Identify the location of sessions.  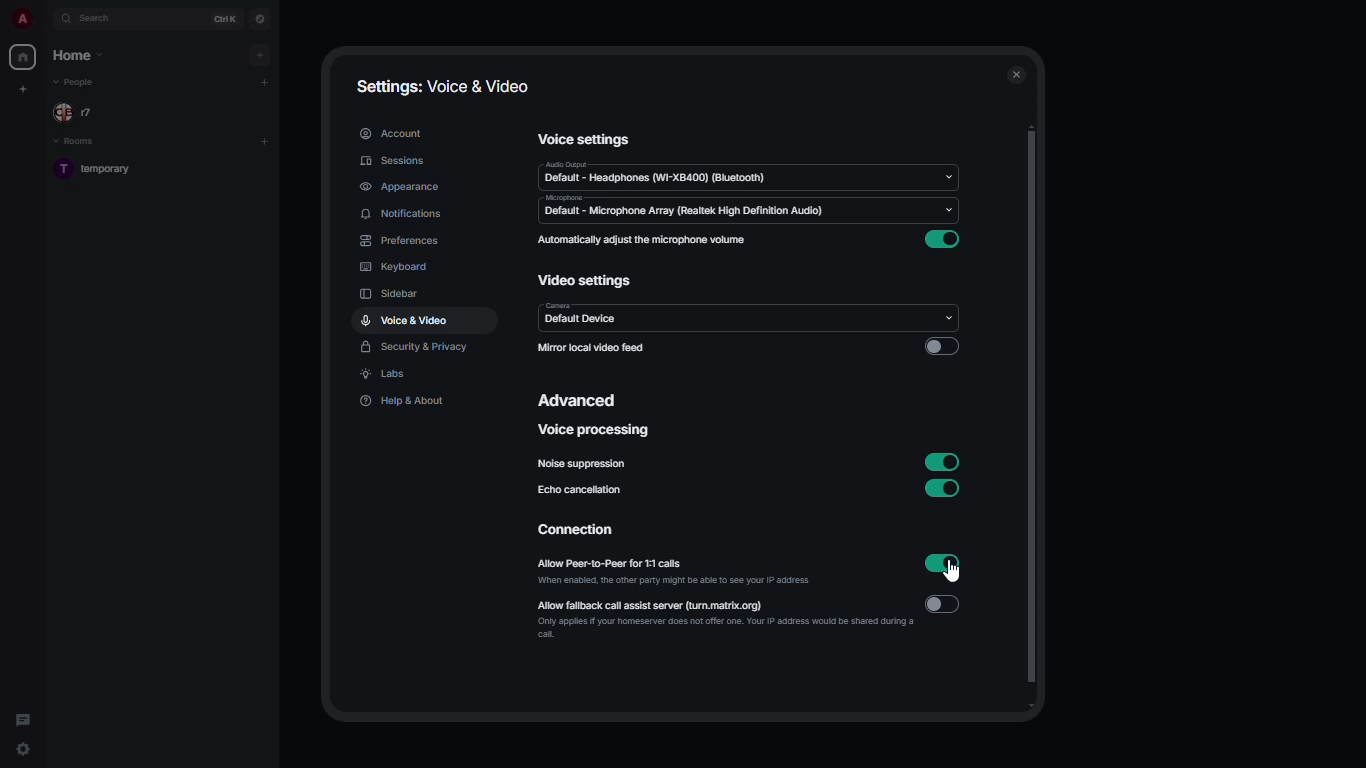
(394, 161).